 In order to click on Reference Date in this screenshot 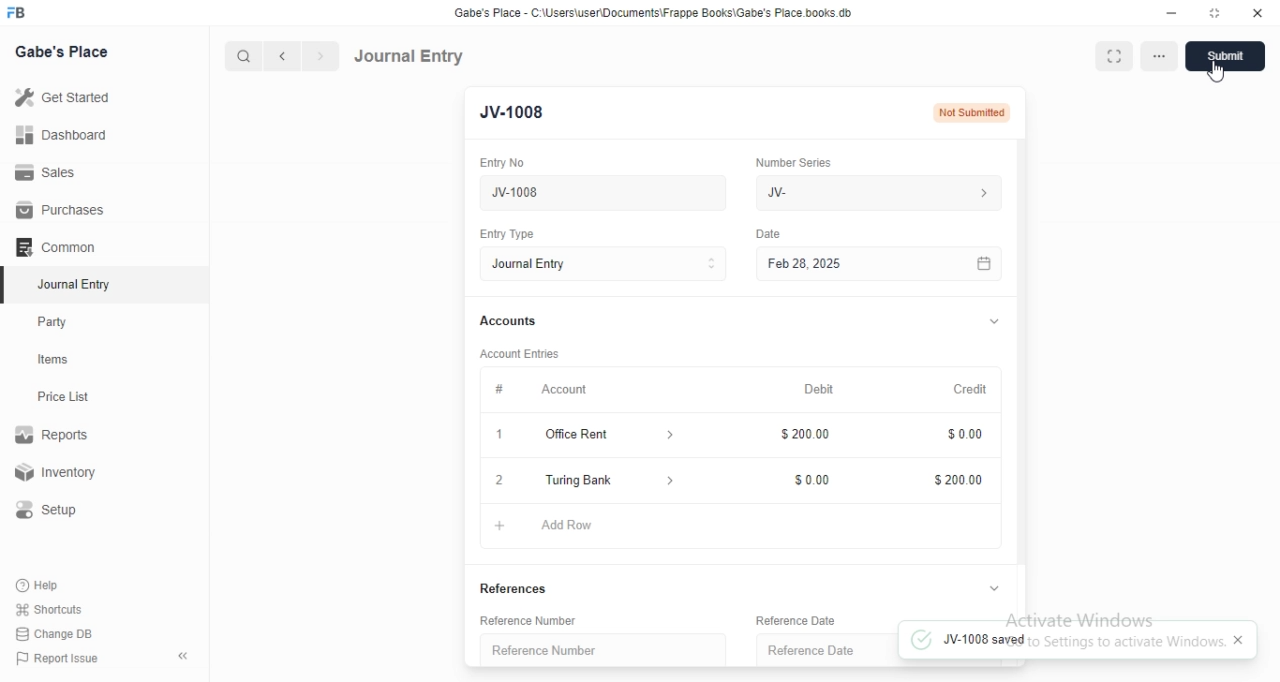, I will do `click(814, 652)`.